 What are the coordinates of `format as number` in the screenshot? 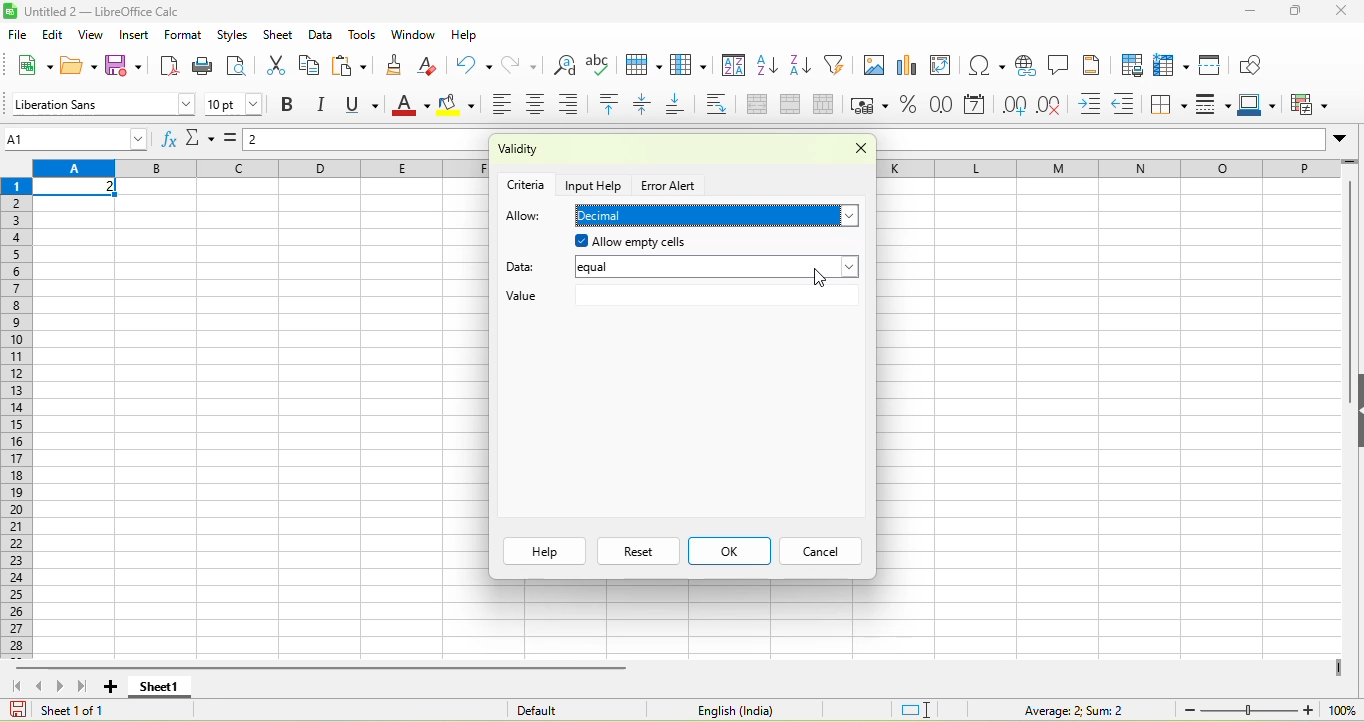 It's located at (943, 106).